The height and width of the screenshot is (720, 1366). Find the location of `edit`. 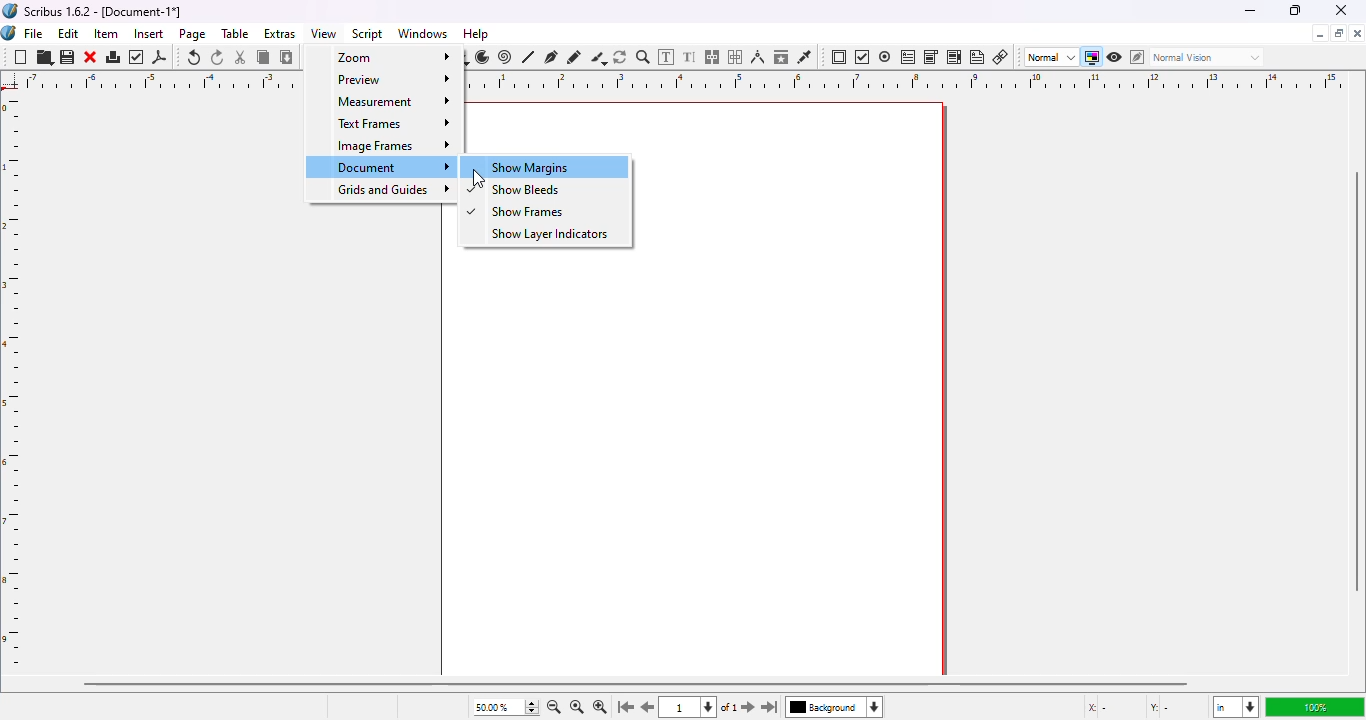

edit is located at coordinates (68, 33).